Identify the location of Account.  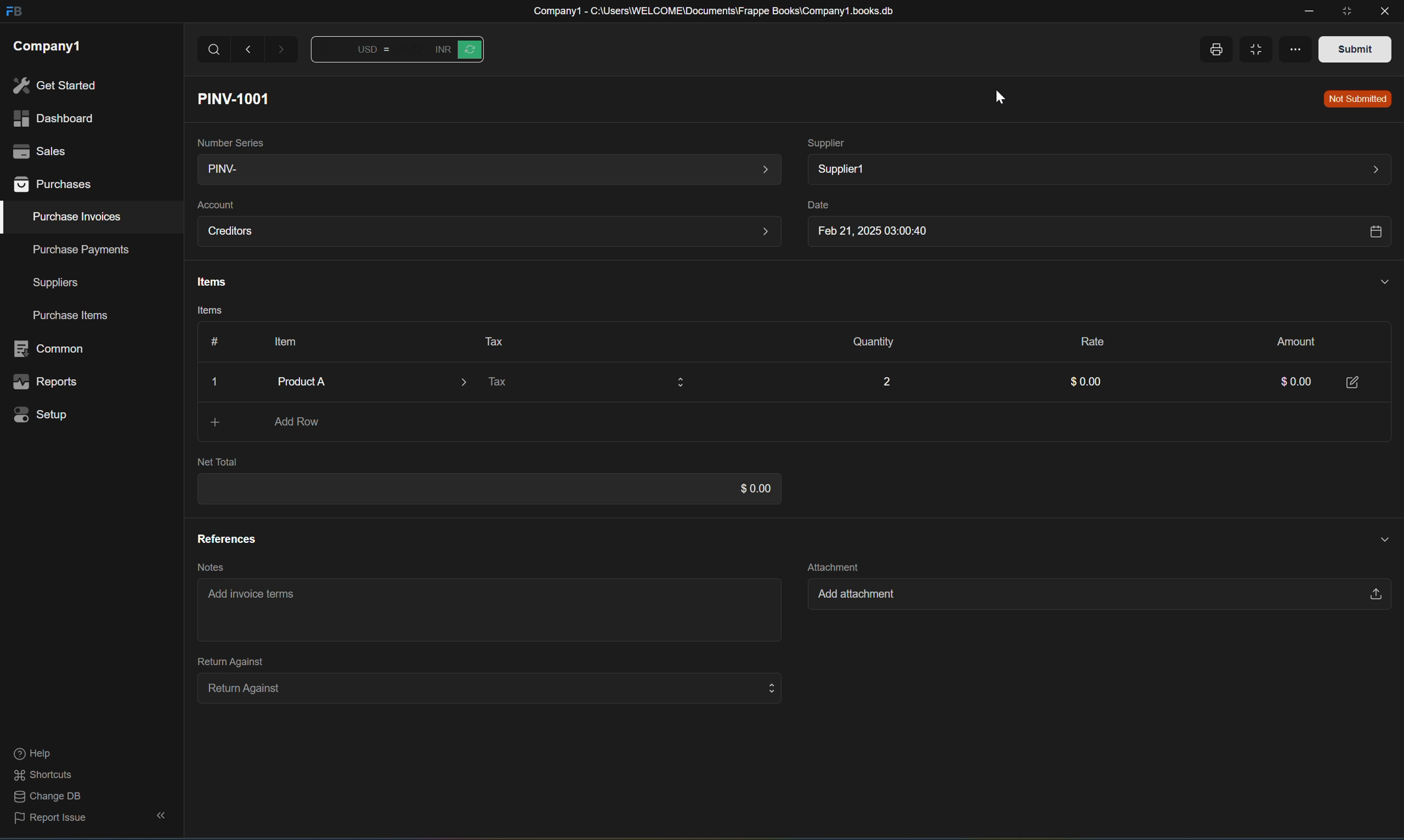
(215, 205).